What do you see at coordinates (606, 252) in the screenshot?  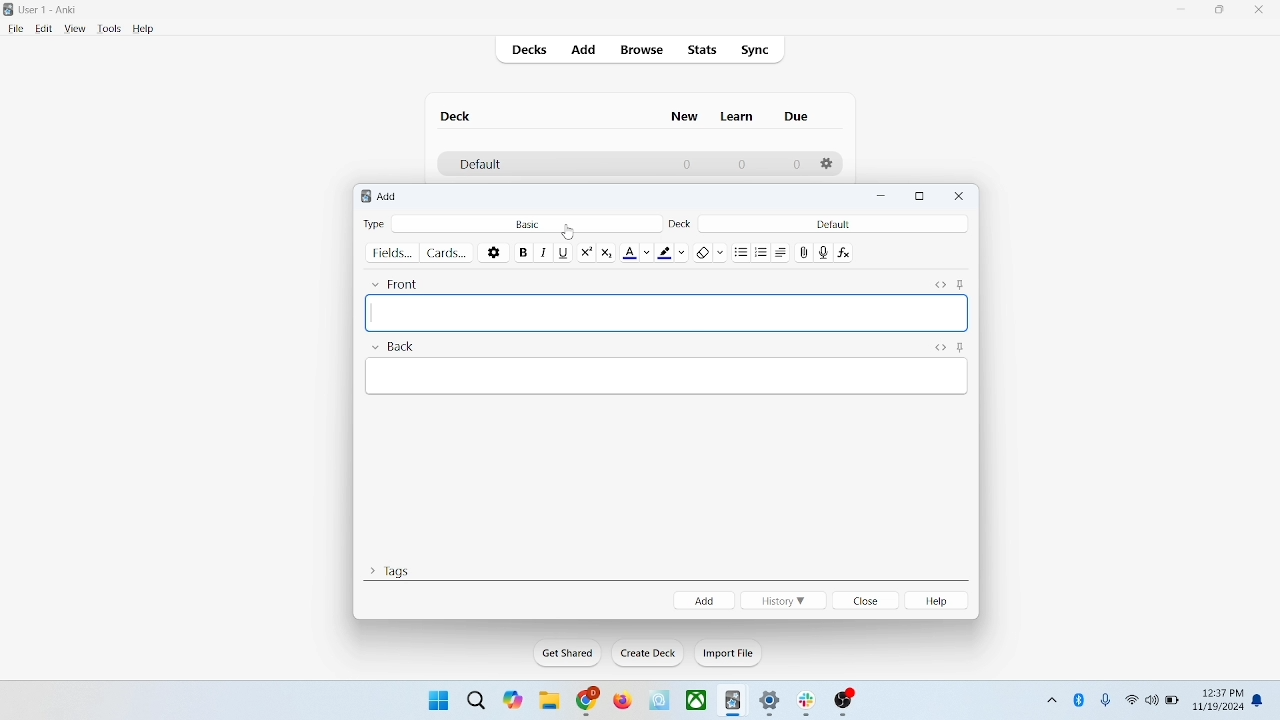 I see `subscript` at bounding box center [606, 252].